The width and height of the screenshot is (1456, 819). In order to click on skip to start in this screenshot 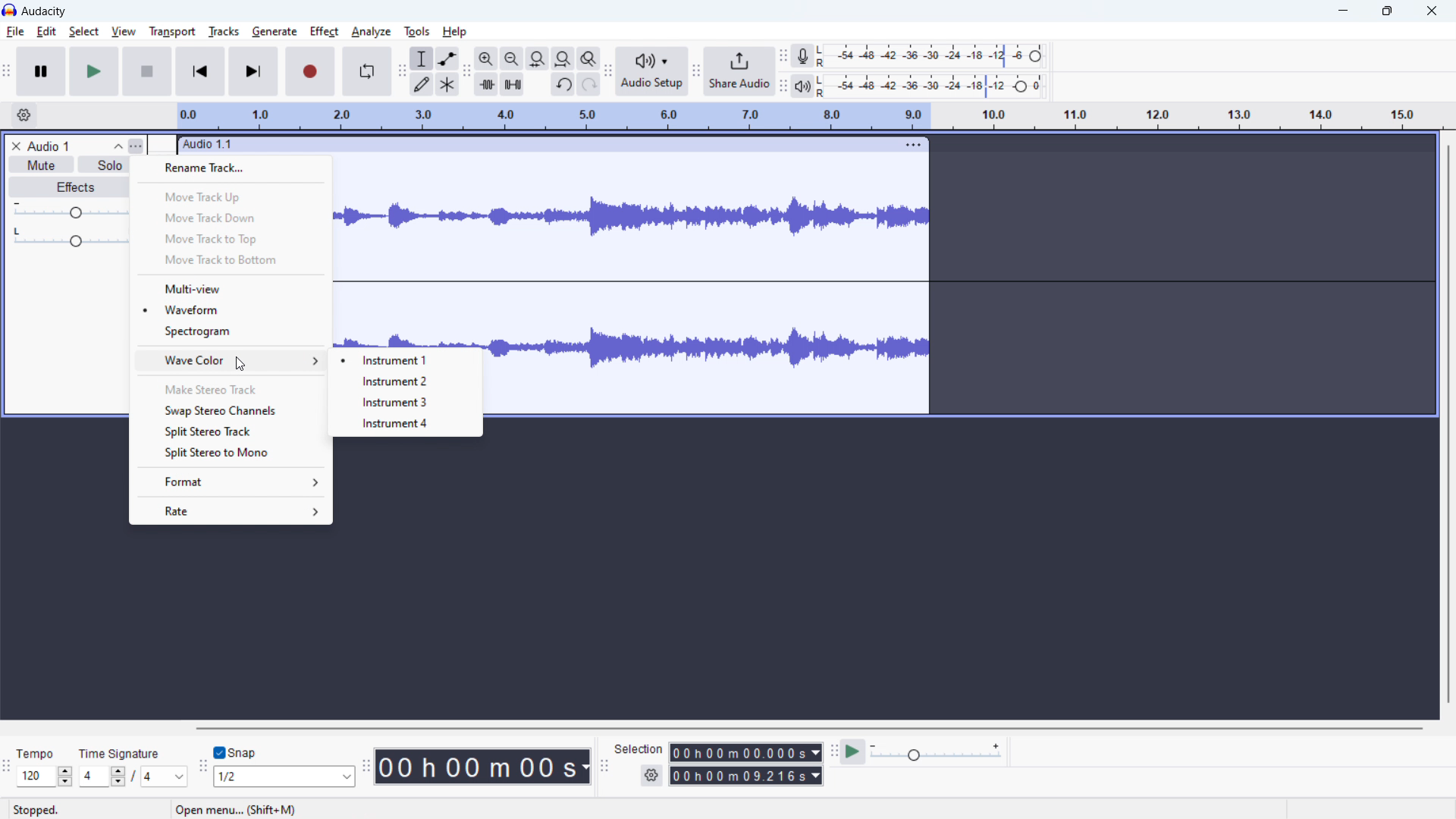, I will do `click(200, 71)`.